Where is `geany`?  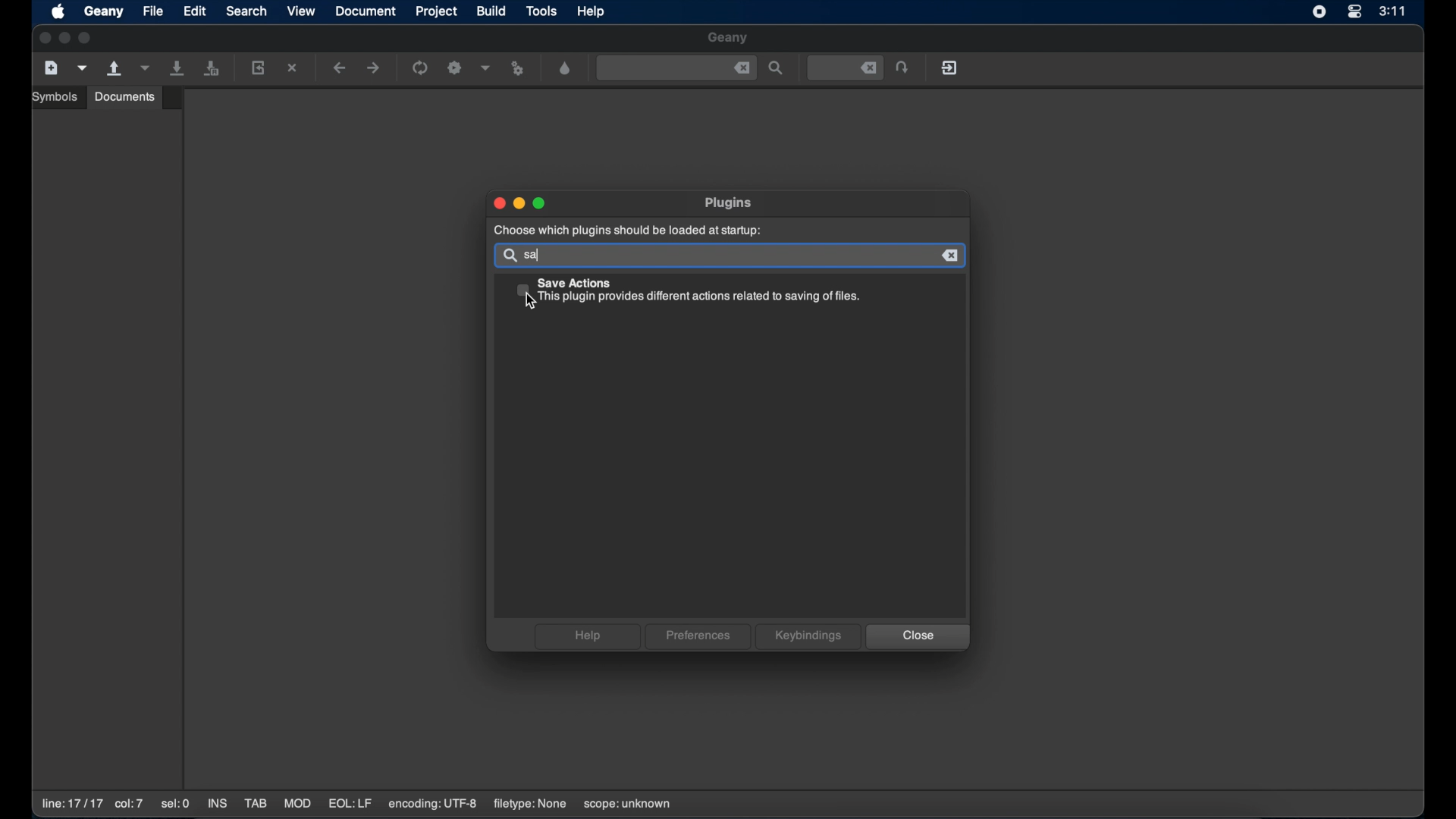
geany is located at coordinates (729, 39).